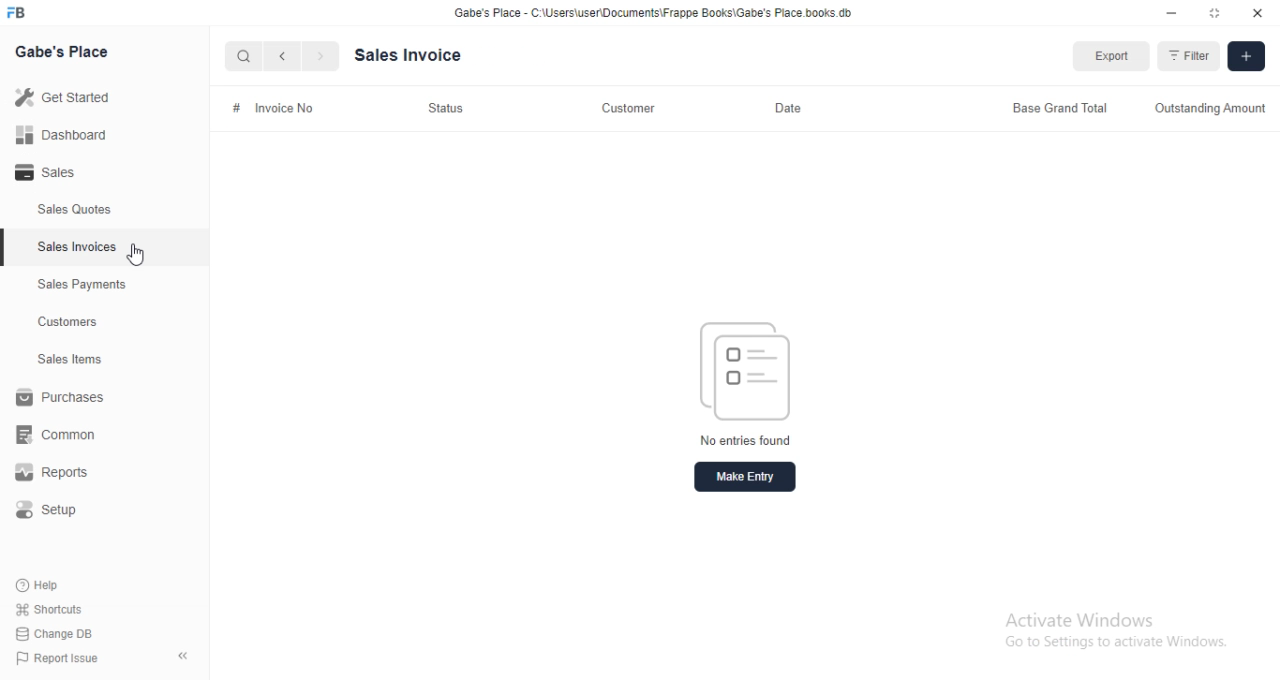 The image size is (1280, 680). I want to click on Sales Invoices, so click(80, 248).